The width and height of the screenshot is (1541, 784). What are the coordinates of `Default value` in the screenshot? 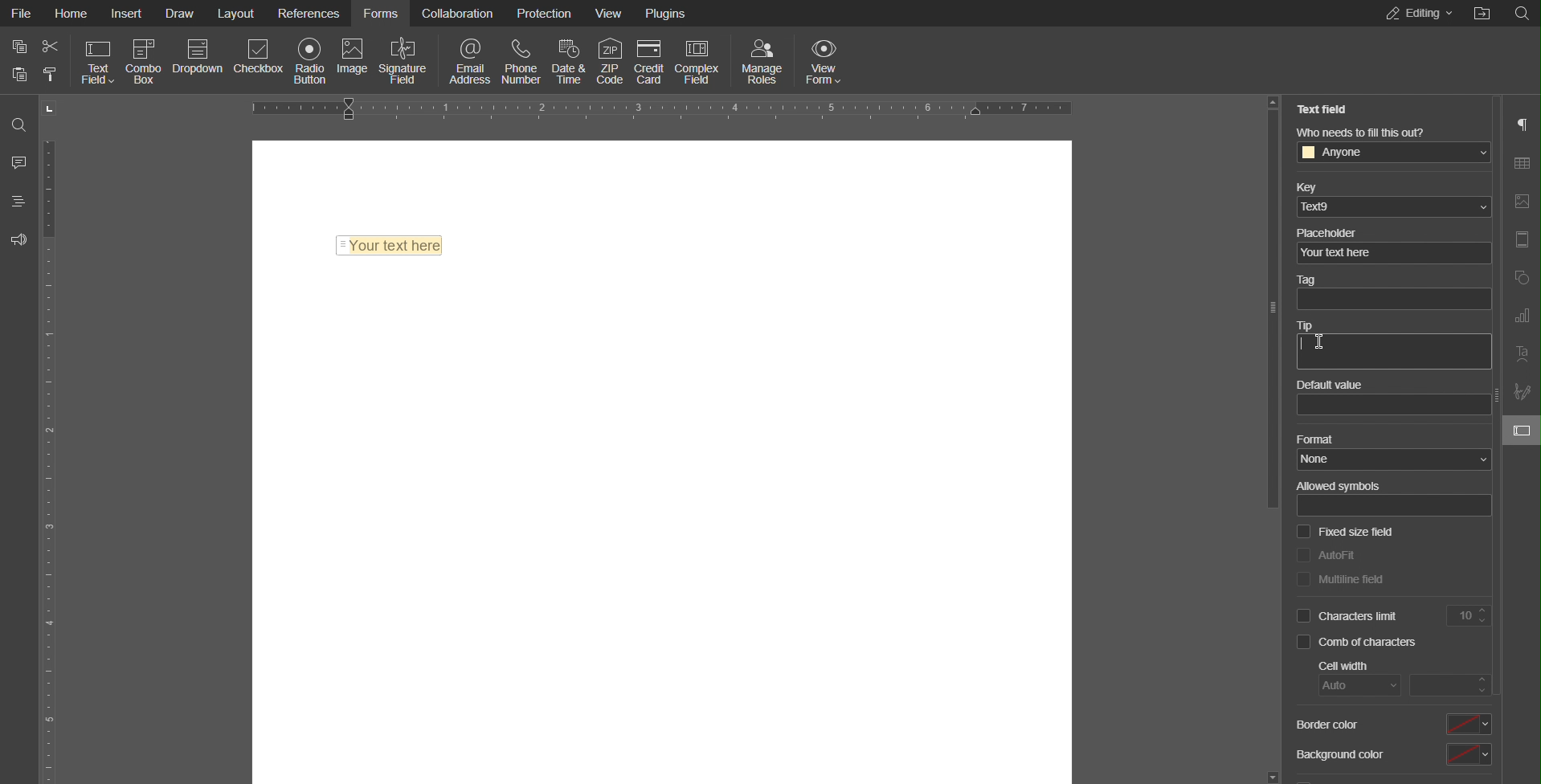 It's located at (1393, 381).